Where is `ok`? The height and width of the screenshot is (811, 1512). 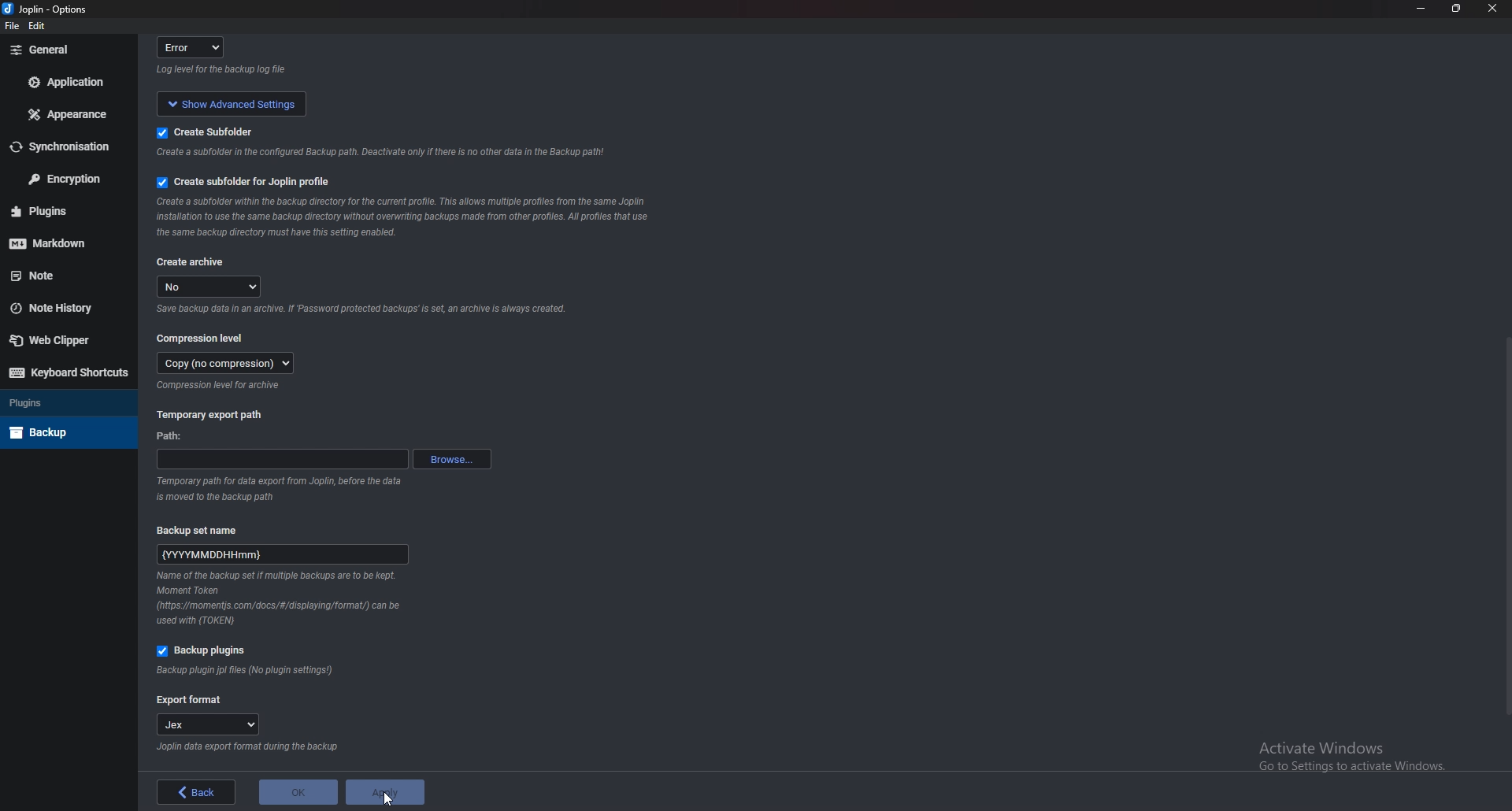
ok is located at coordinates (298, 792).